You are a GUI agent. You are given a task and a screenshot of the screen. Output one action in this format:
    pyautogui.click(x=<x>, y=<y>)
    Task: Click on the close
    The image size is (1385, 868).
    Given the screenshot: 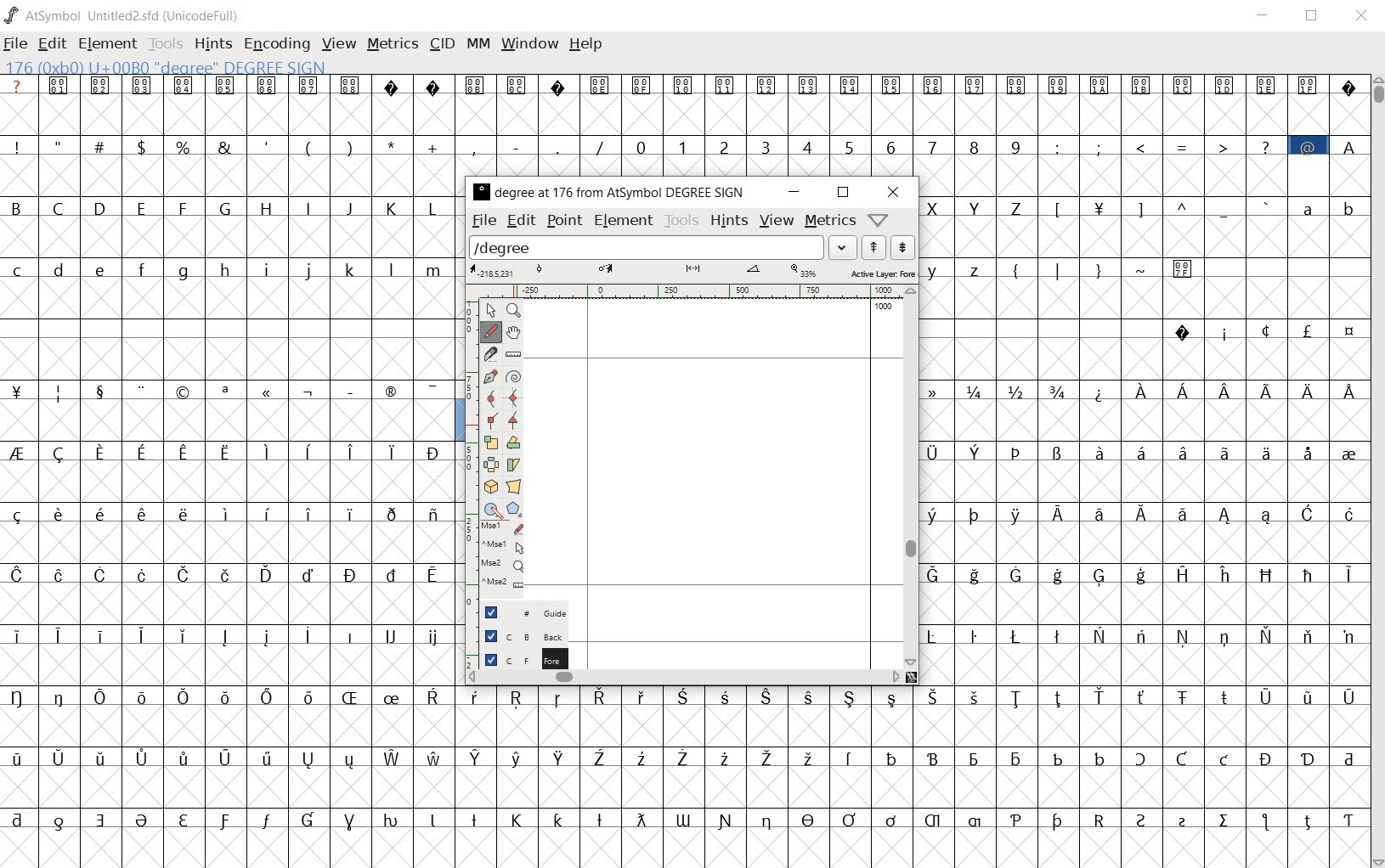 What is the action you would take?
    pyautogui.click(x=893, y=193)
    